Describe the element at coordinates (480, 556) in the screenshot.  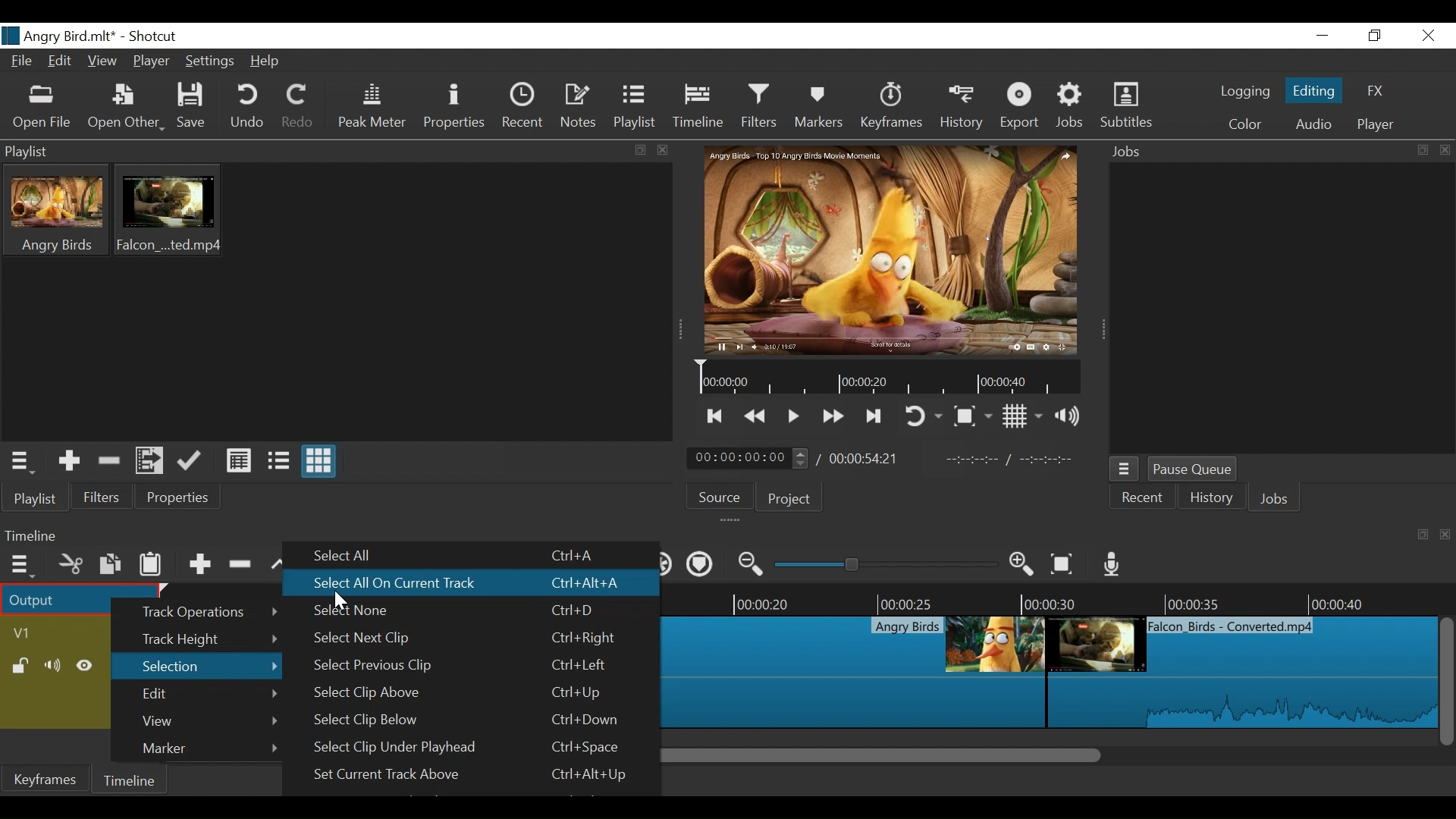
I see `Select All` at that location.